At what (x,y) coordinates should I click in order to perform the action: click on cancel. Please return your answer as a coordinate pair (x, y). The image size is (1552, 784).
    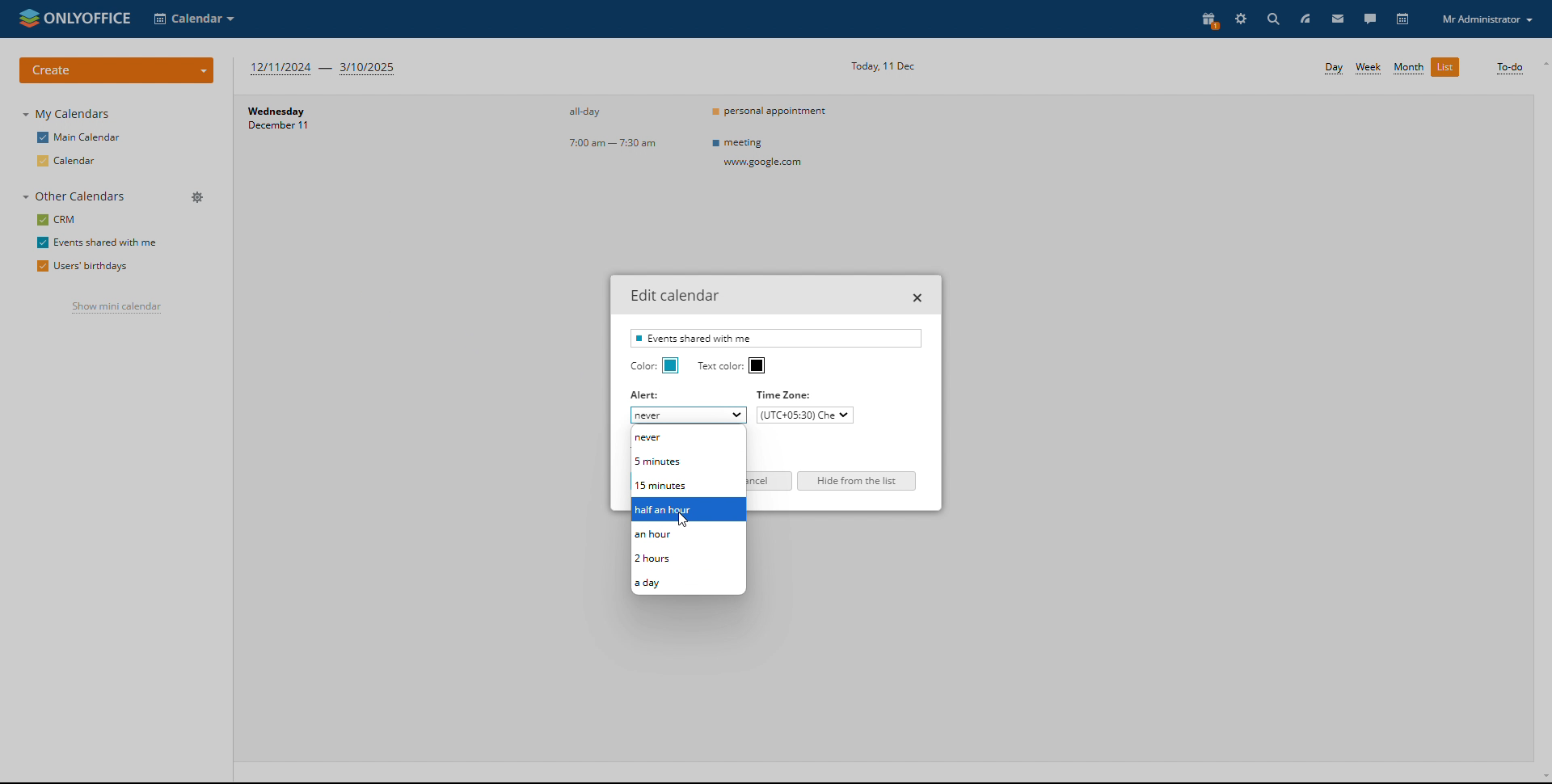
    Looking at the image, I should click on (769, 481).